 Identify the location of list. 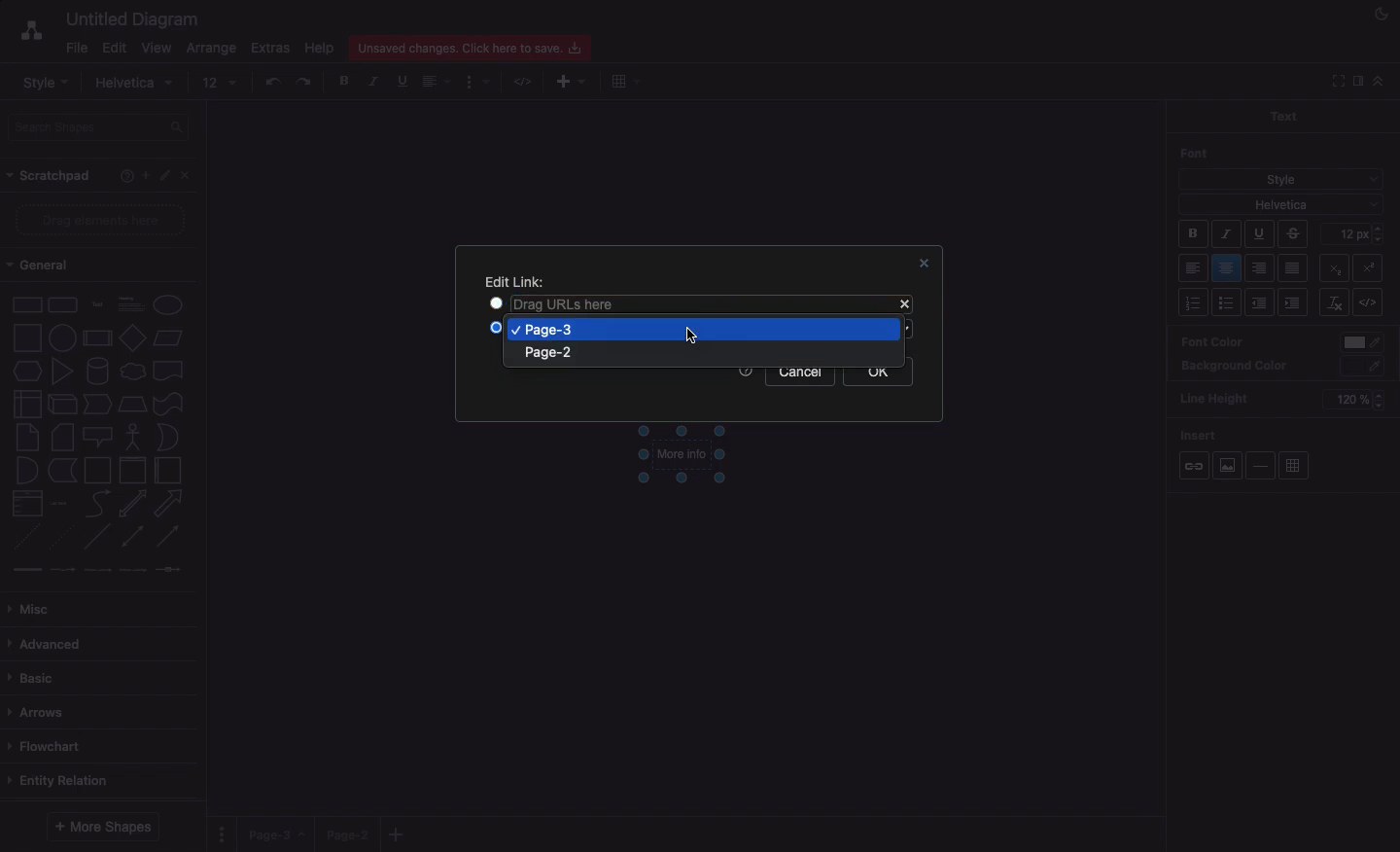
(28, 503).